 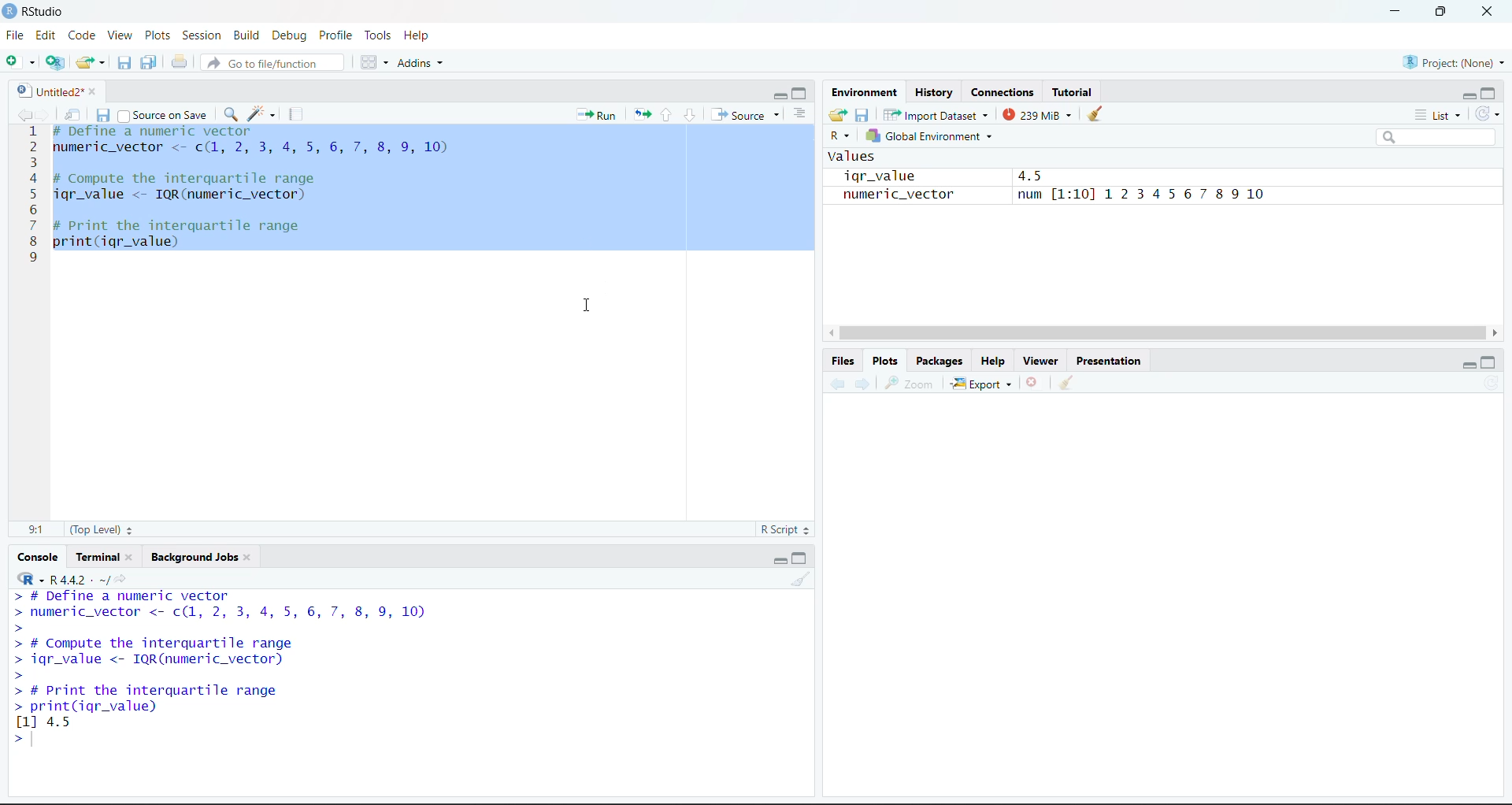 I want to click on Go to next section/chunk (Ctrl + pgDn), so click(x=689, y=115).